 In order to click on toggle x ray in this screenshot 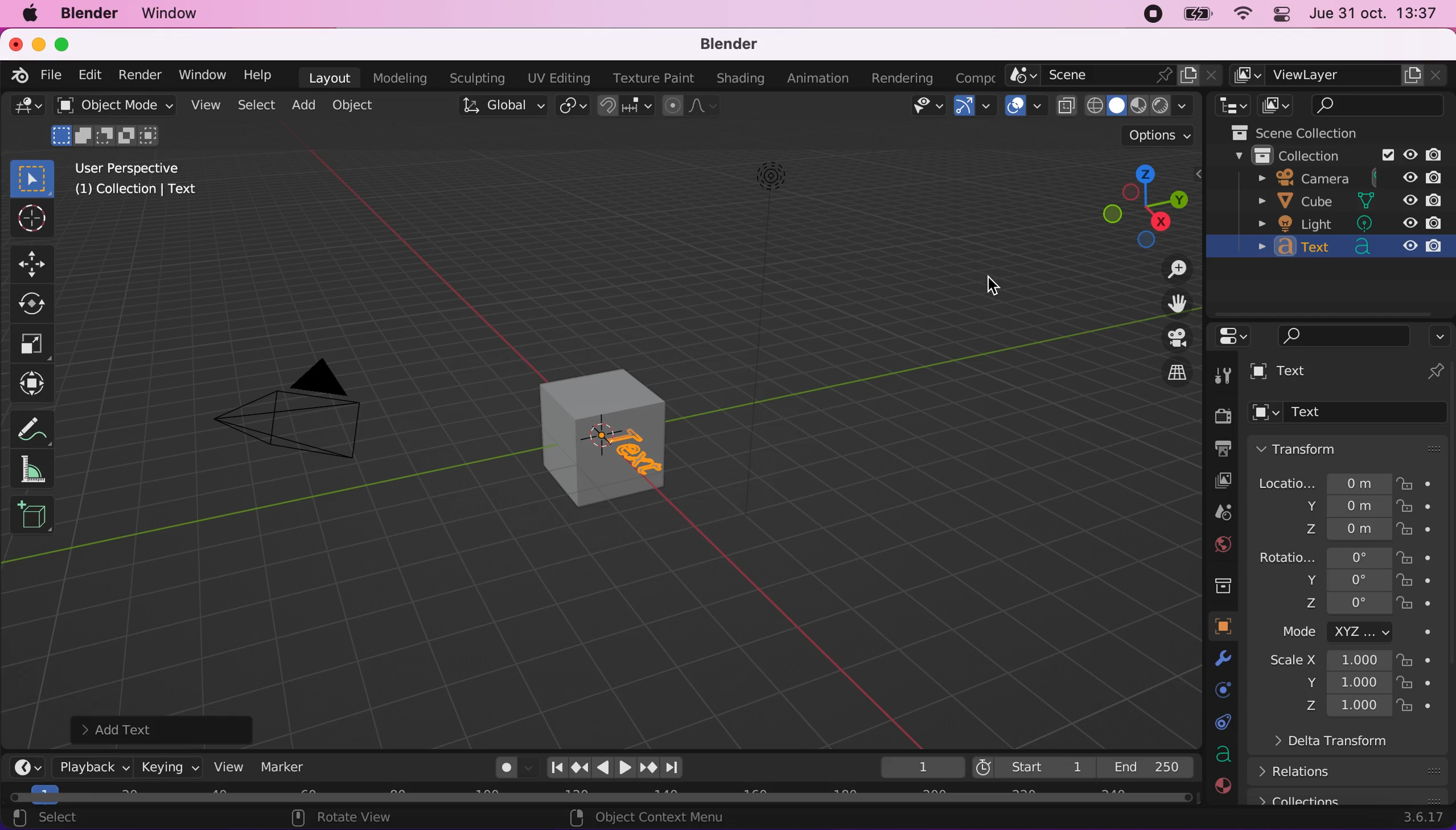, I will do `click(1066, 106)`.